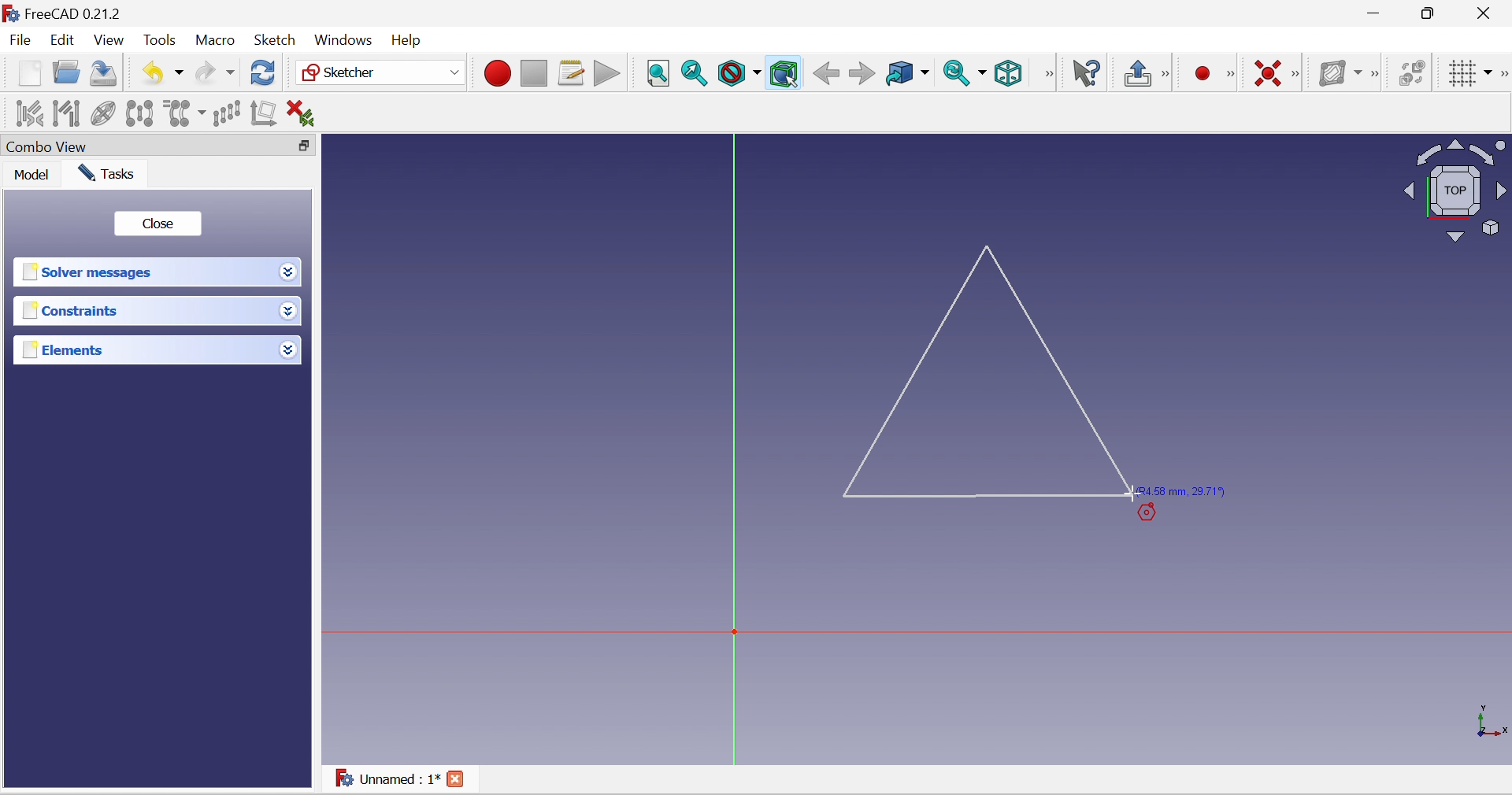  What do you see at coordinates (1430, 13) in the screenshot?
I see `maximize` at bounding box center [1430, 13].